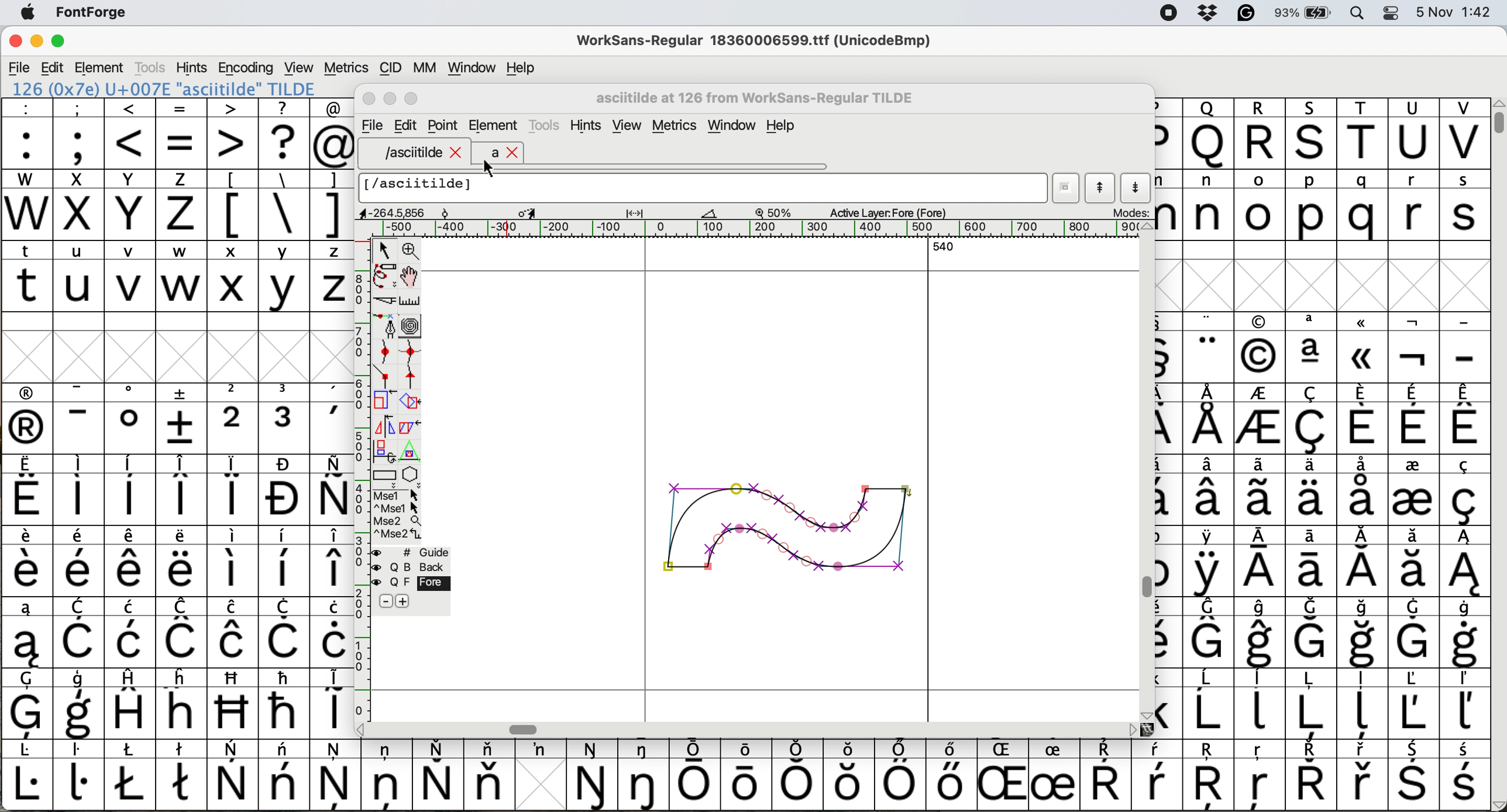  What do you see at coordinates (1209, 348) in the screenshot?
I see `symbol` at bounding box center [1209, 348].